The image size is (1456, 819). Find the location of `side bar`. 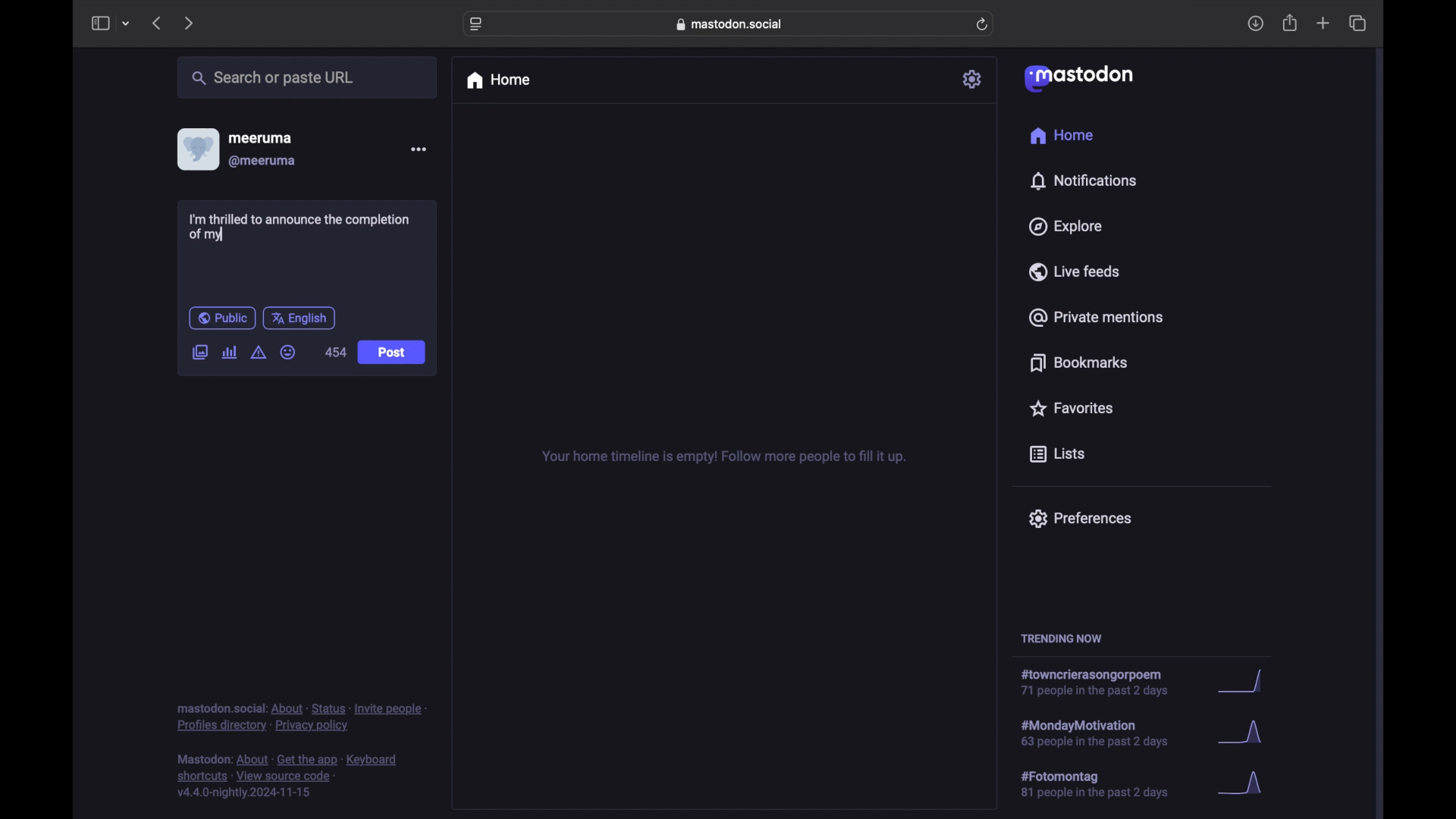

side bar is located at coordinates (99, 23).